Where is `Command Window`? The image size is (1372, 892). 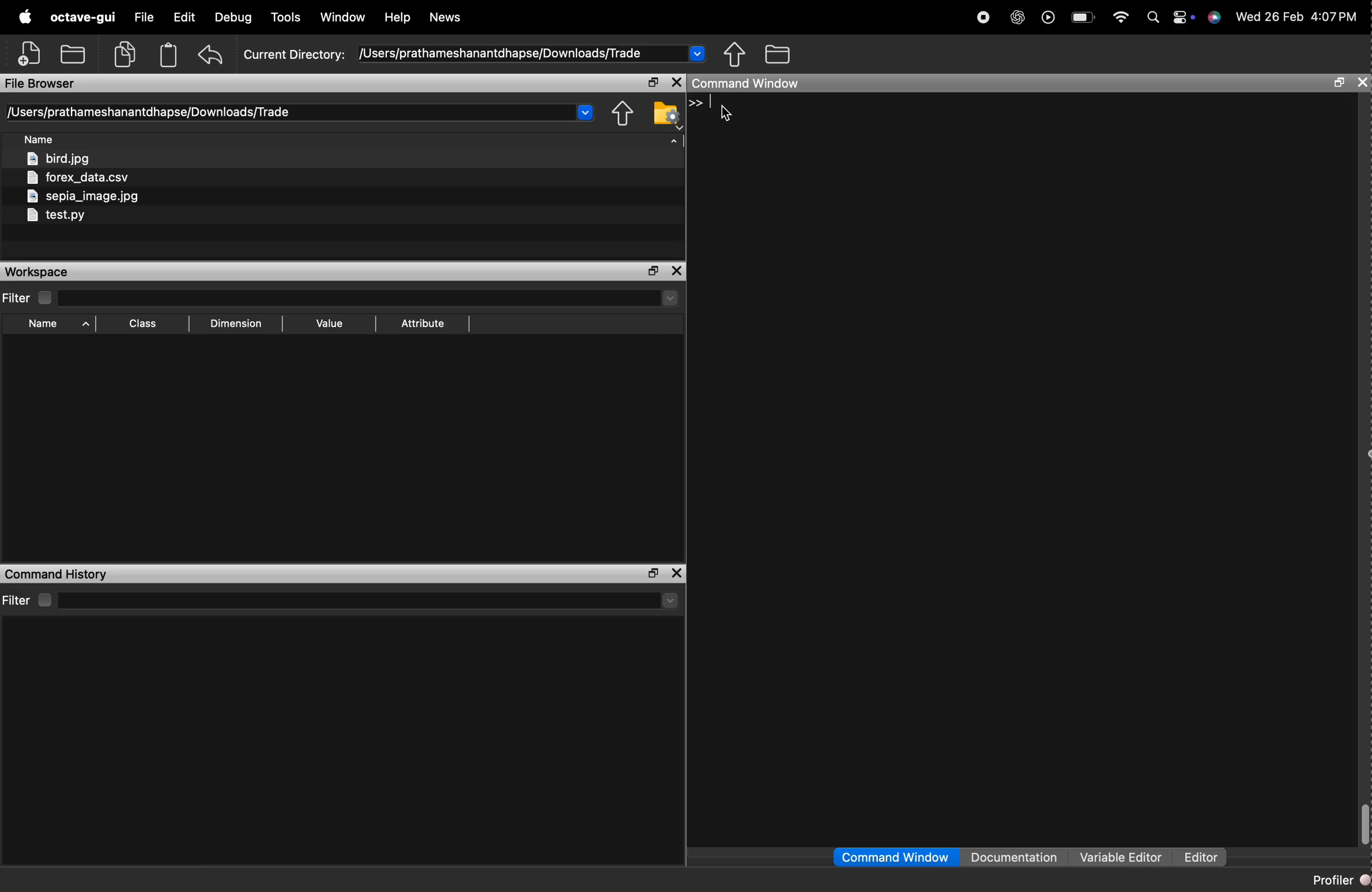 Command Window is located at coordinates (745, 84).